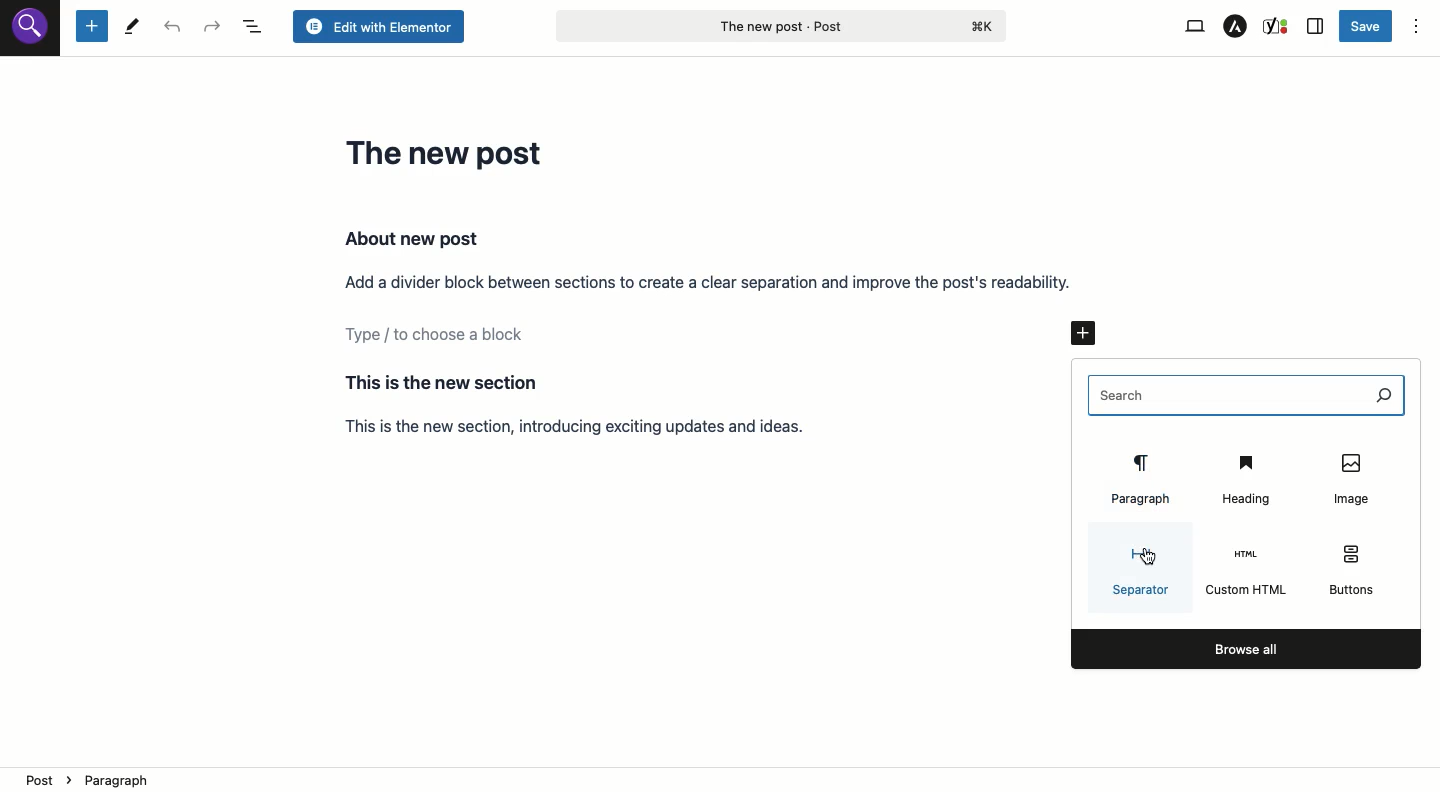 The width and height of the screenshot is (1440, 792). What do you see at coordinates (1416, 28) in the screenshot?
I see `Options` at bounding box center [1416, 28].